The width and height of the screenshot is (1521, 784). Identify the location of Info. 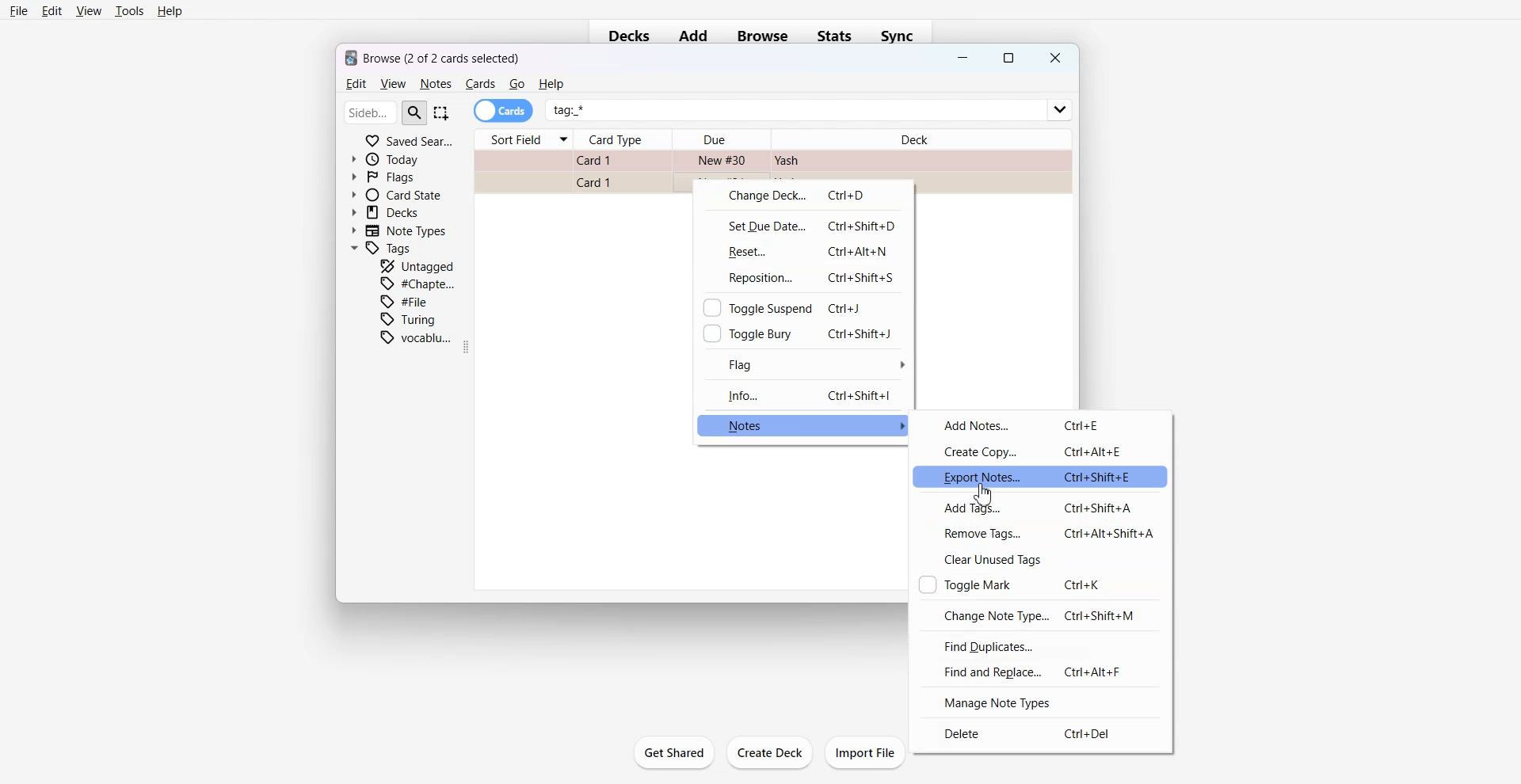
(803, 394).